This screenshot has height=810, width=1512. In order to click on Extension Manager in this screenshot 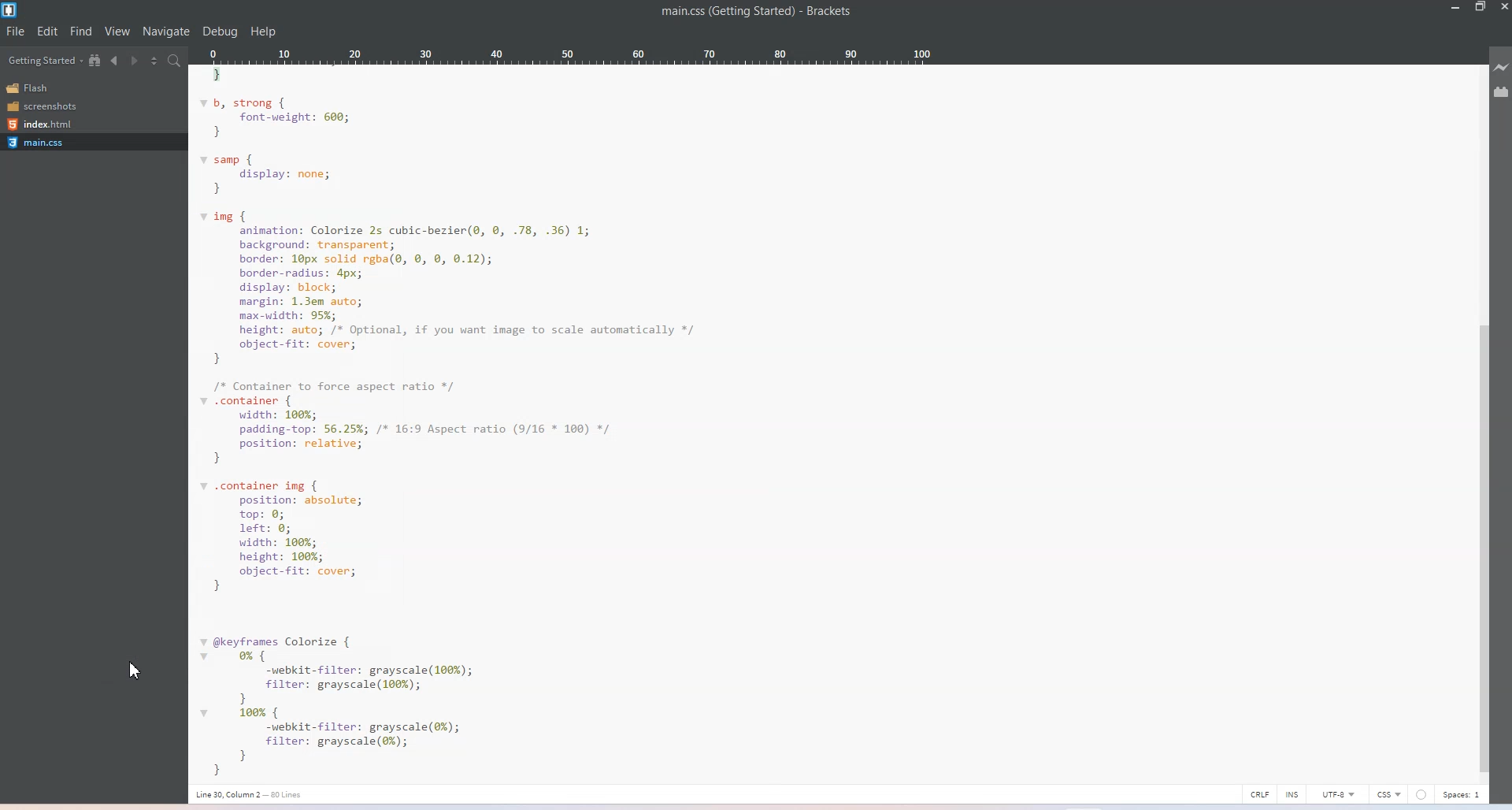, I will do `click(1502, 92)`.